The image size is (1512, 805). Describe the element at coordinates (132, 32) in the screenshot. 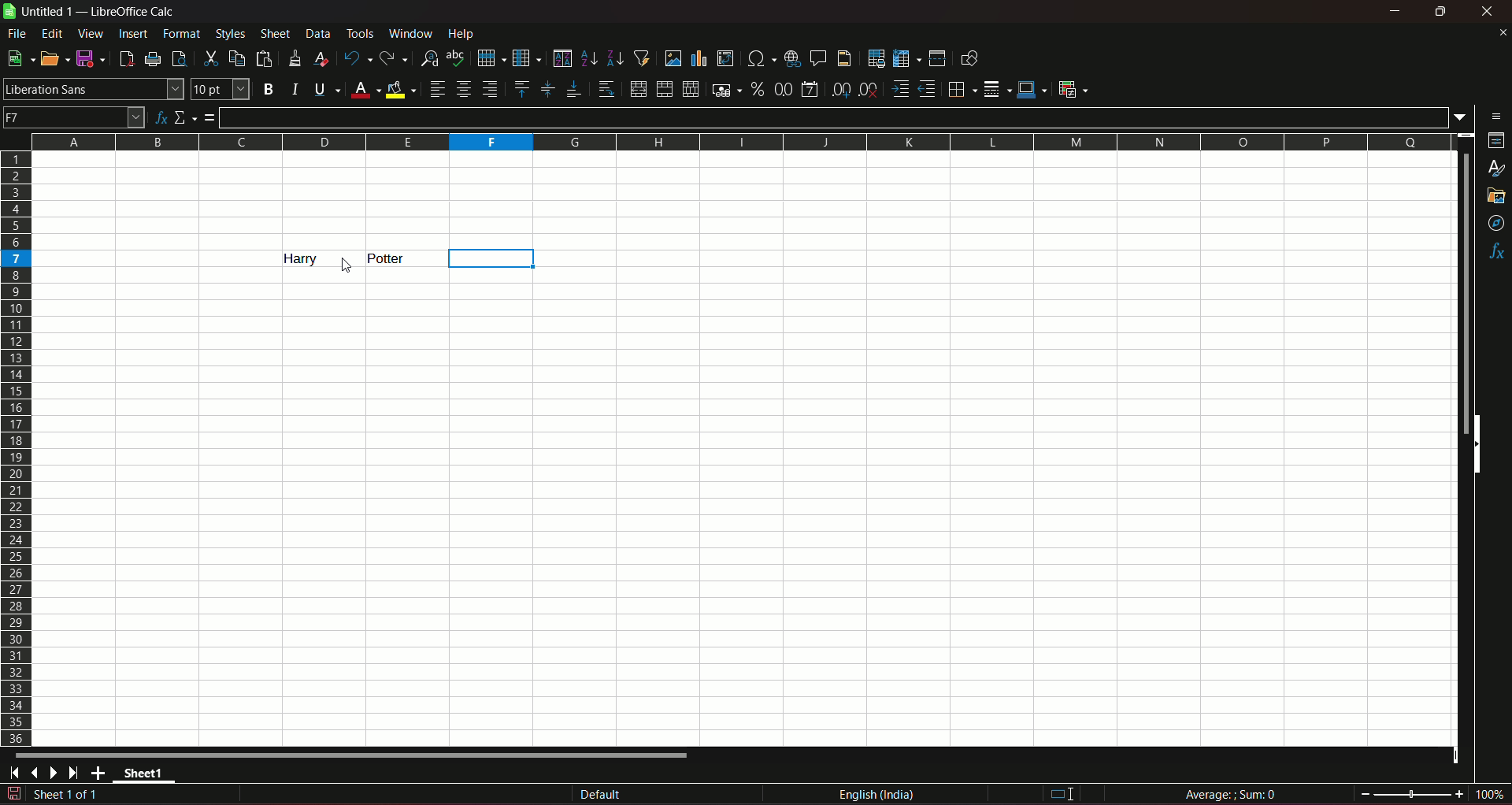

I see `insert` at that location.